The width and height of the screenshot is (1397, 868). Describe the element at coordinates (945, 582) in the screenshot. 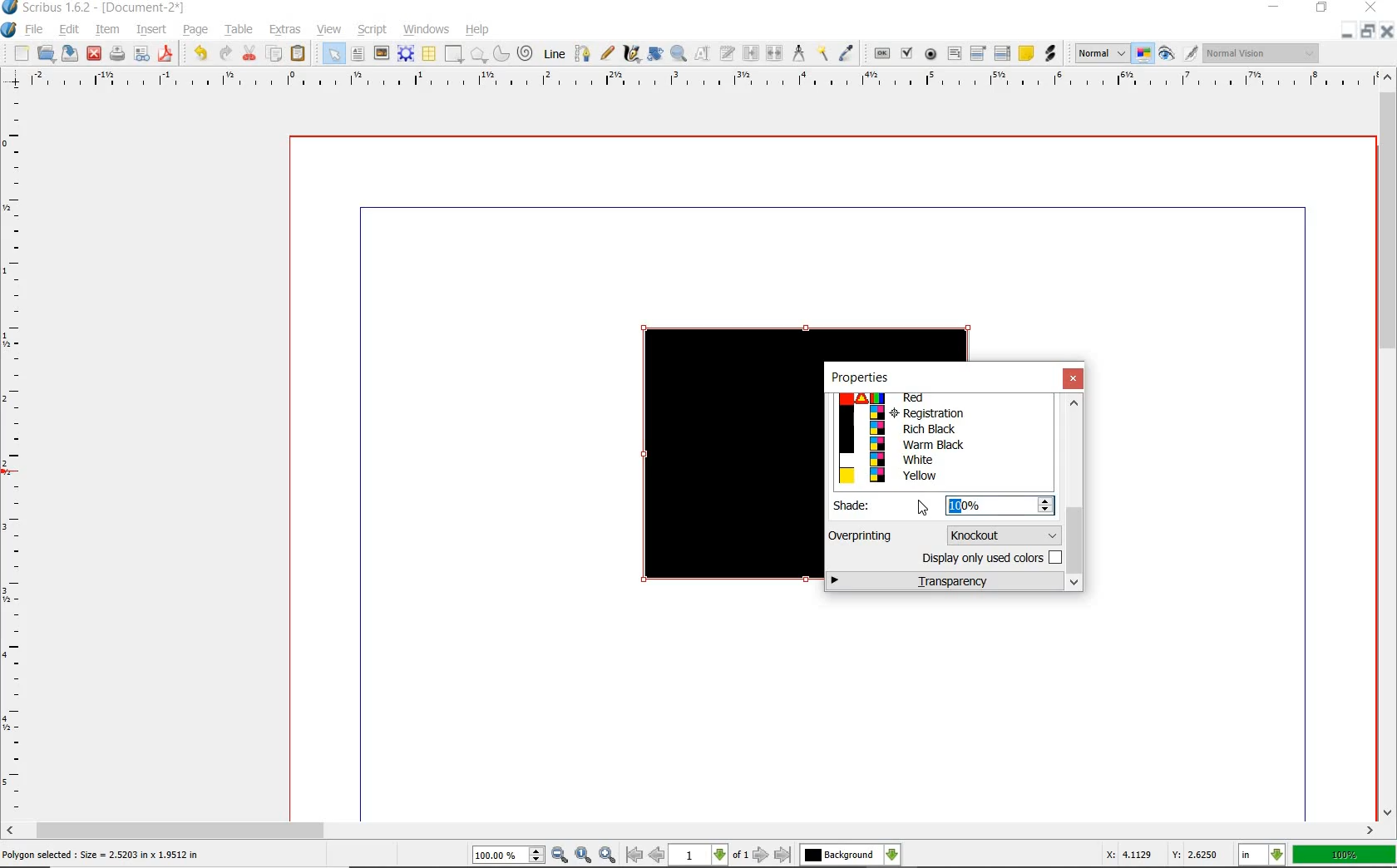

I see `transparency` at that location.